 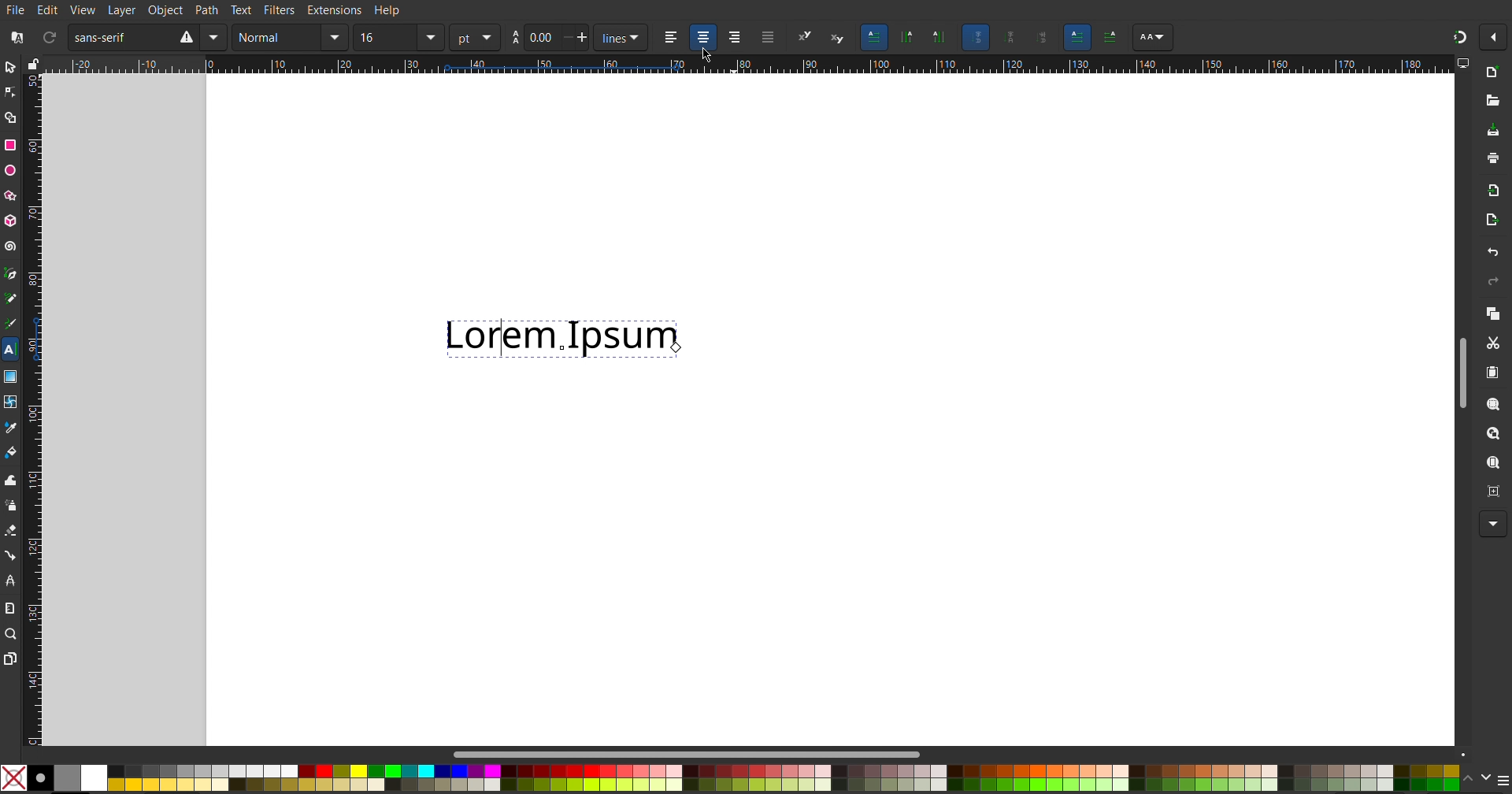 What do you see at coordinates (706, 56) in the screenshot?
I see `Cursor at Align` at bounding box center [706, 56].